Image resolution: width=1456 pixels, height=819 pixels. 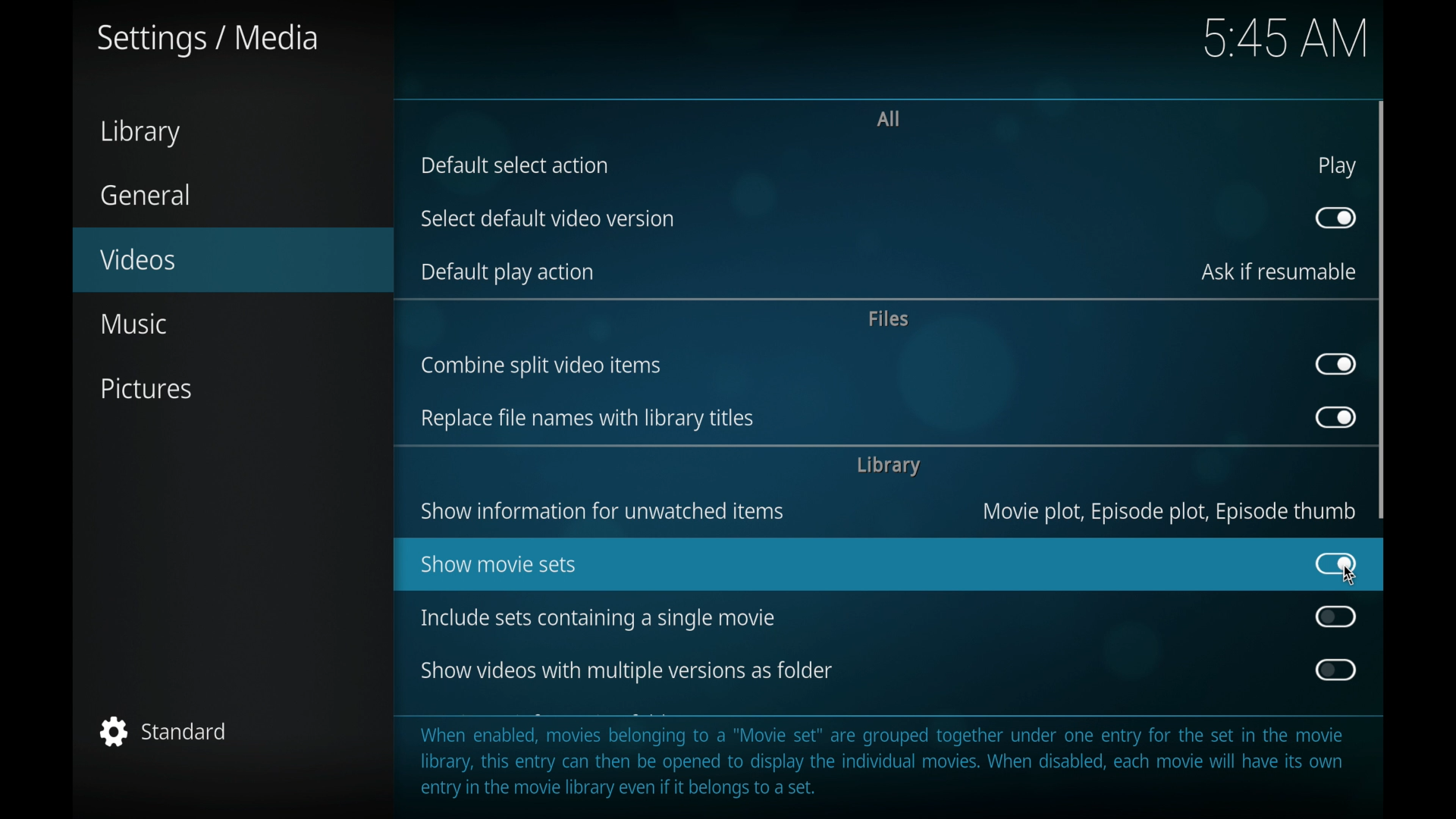 I want to click on cursor, so click(x=1351, y=576).